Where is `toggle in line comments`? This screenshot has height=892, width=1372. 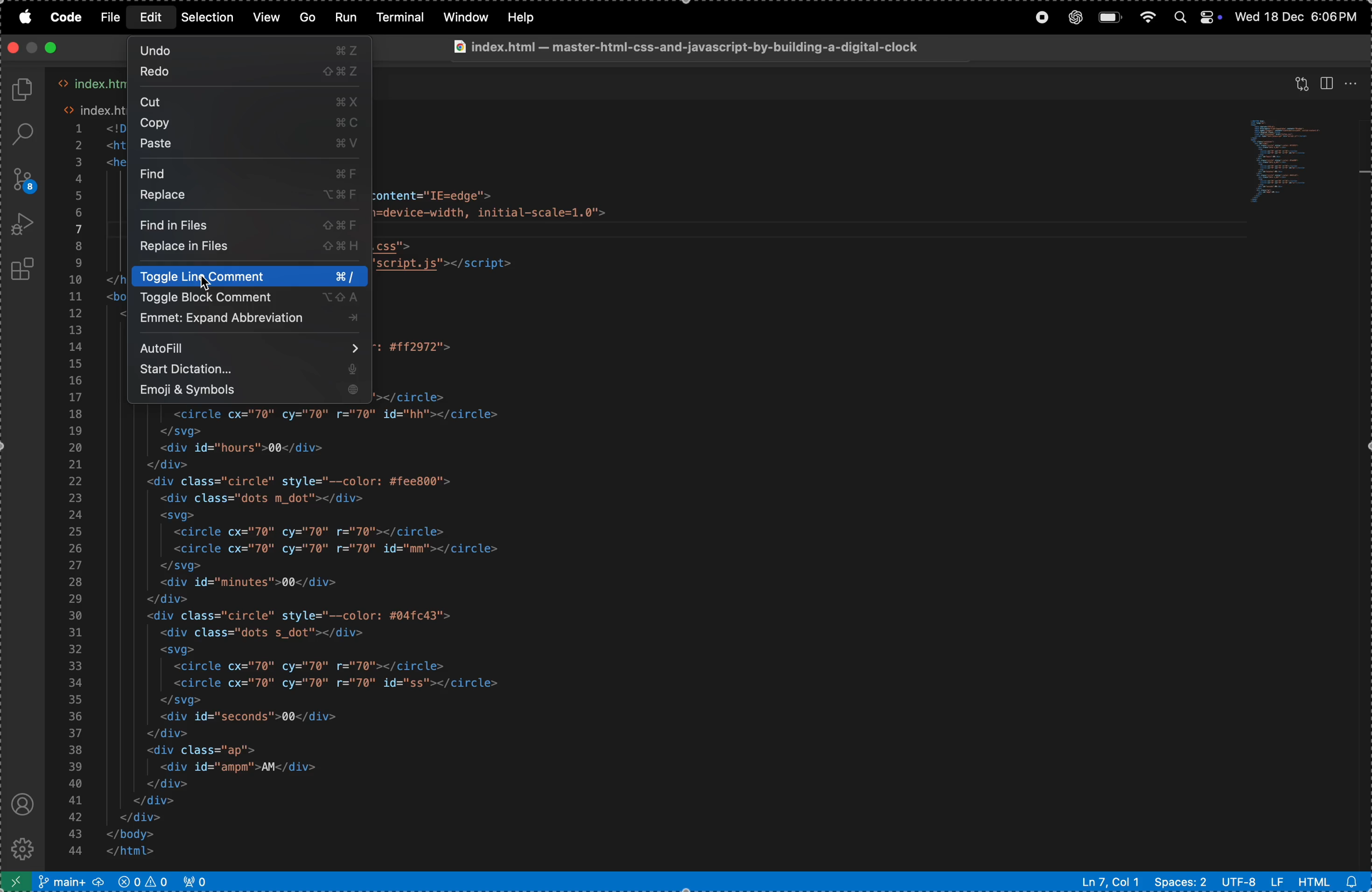
toggle in line comments is located at coordinates (246, 277).